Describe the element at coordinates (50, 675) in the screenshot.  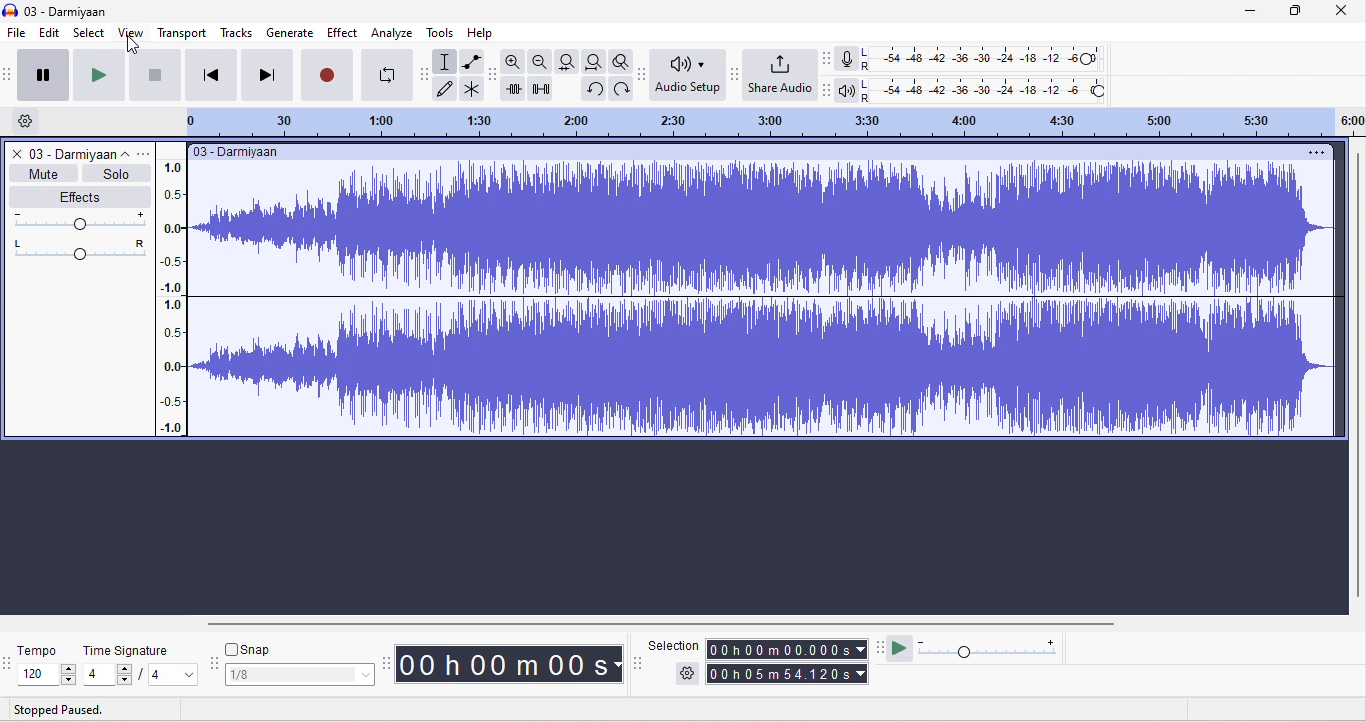
I see `select tempo` at that location.